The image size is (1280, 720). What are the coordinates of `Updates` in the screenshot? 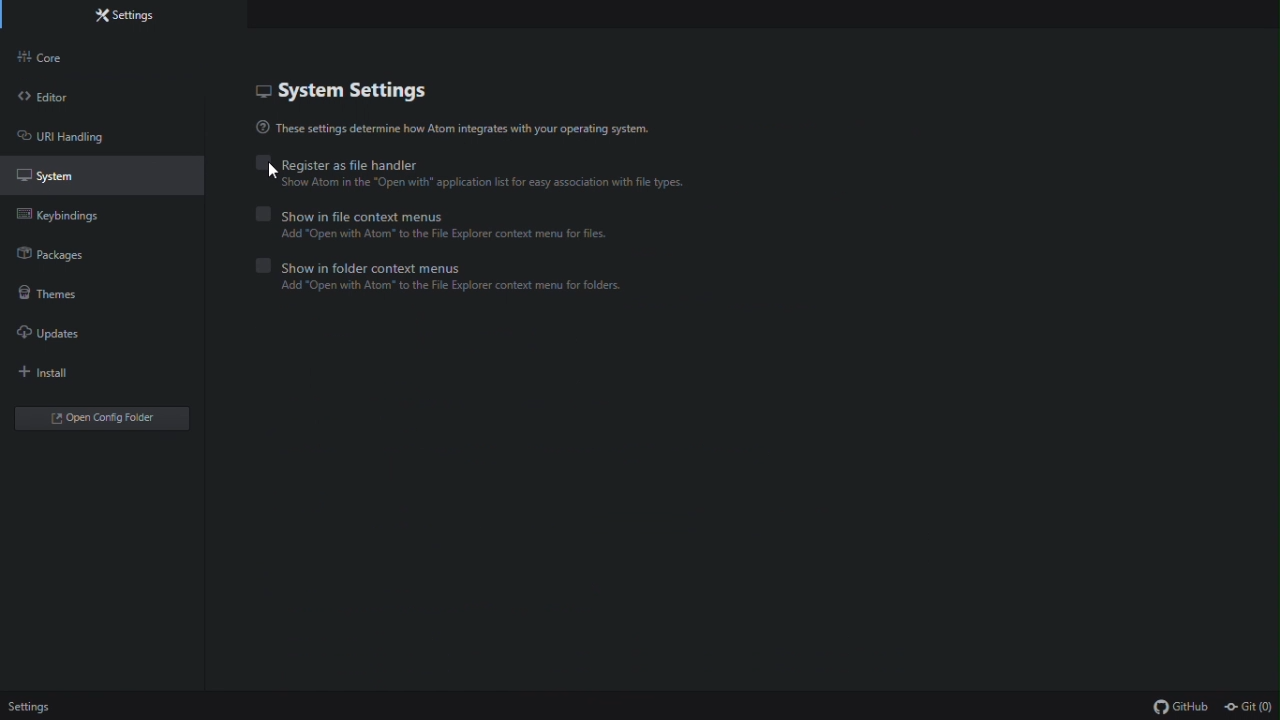 It's located at (67, 337).